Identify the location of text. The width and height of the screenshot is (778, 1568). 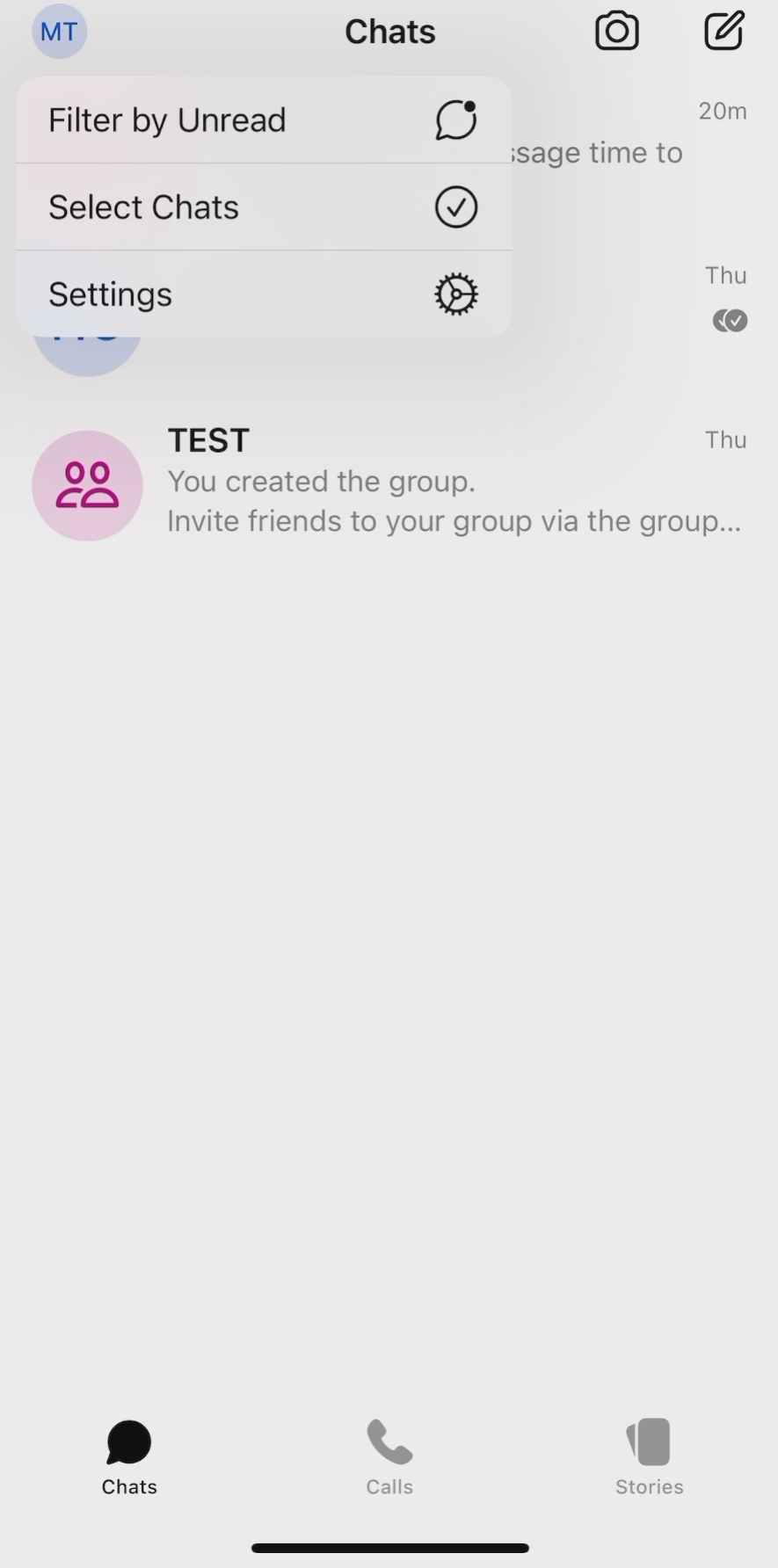
(599, 156).